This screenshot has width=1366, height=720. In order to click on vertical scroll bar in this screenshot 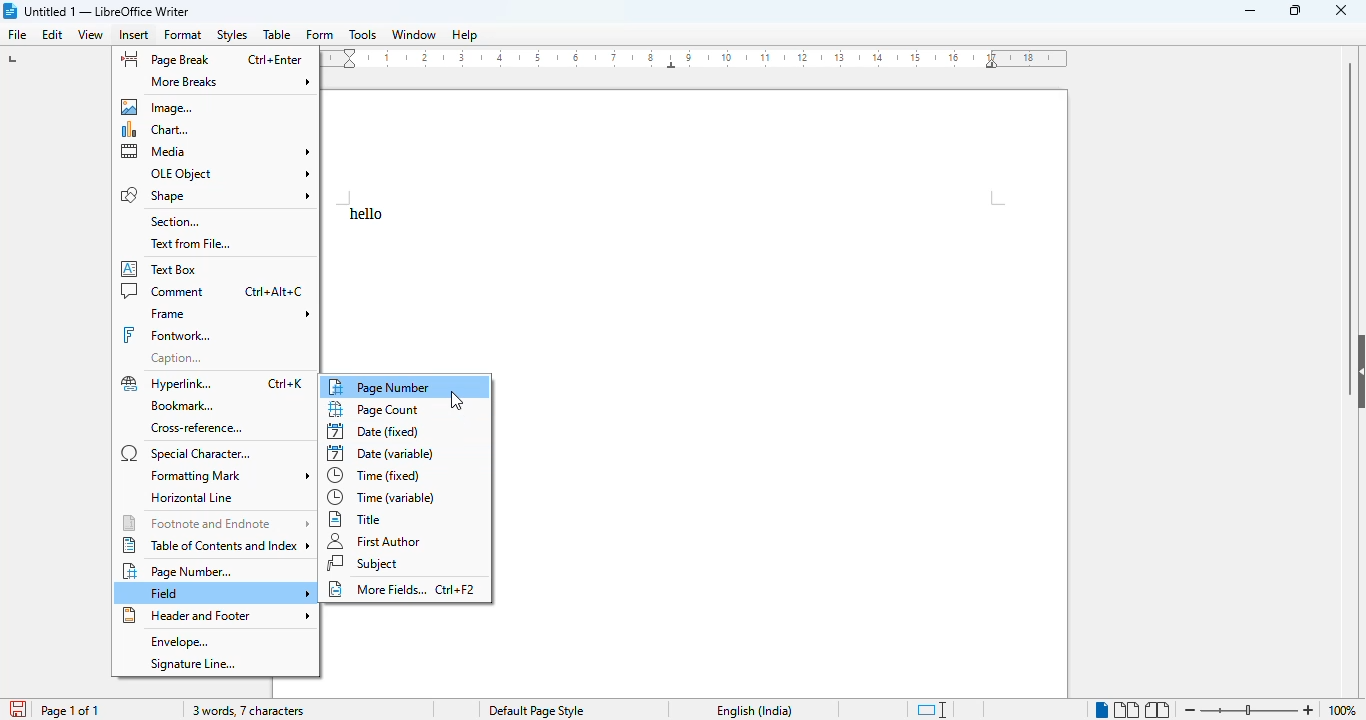, I will do `click(1351, 192)`.